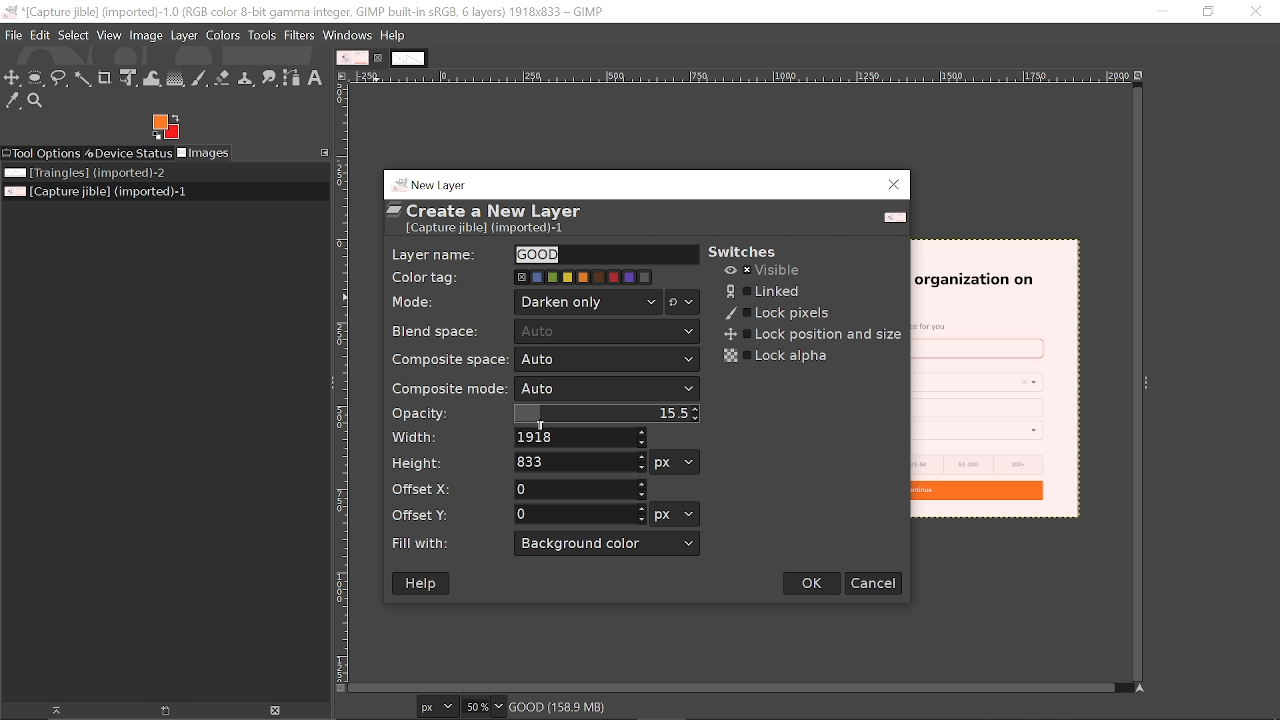 The height and width of the screenshot is (720, 1280). I want to click on Mode, so click(589, 302).